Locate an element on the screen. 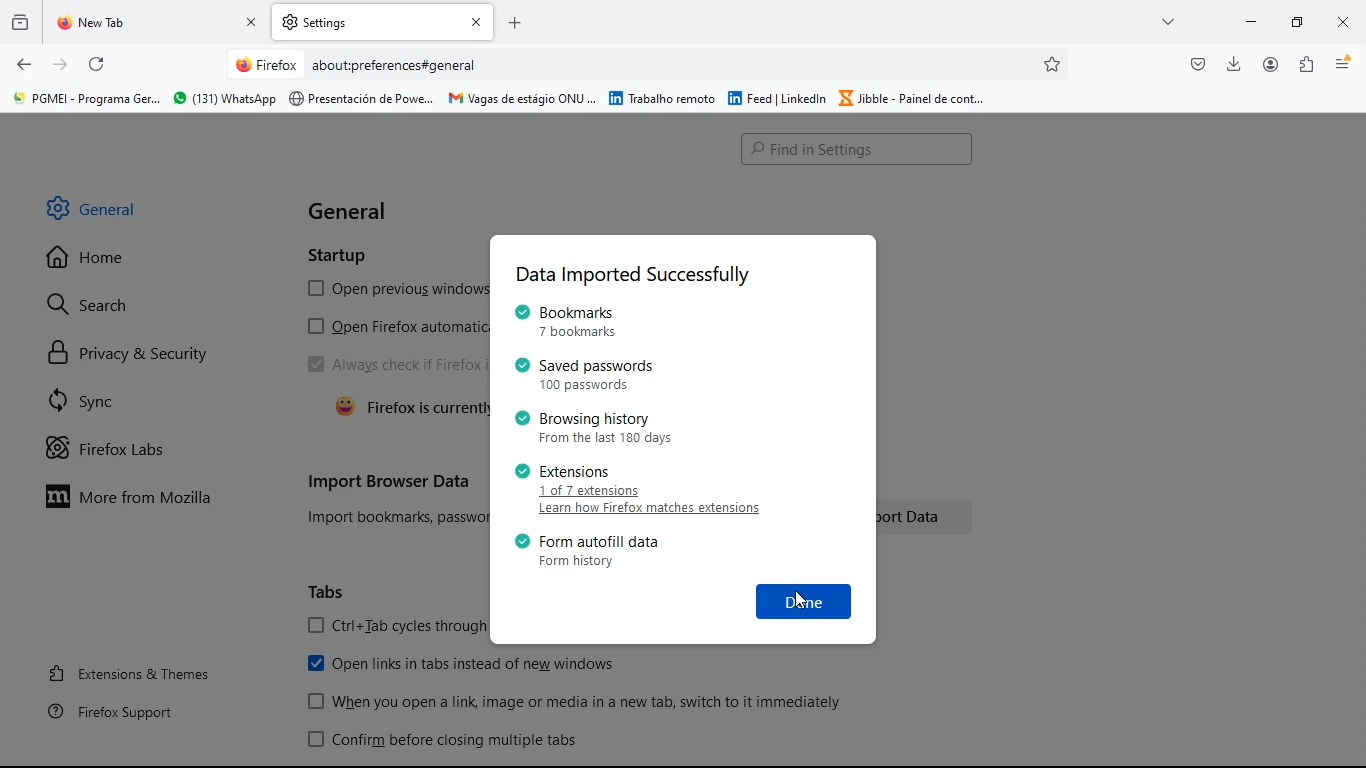 This screenshot has width=1366, height=768. import browser data is located at coordinates (389, 481).